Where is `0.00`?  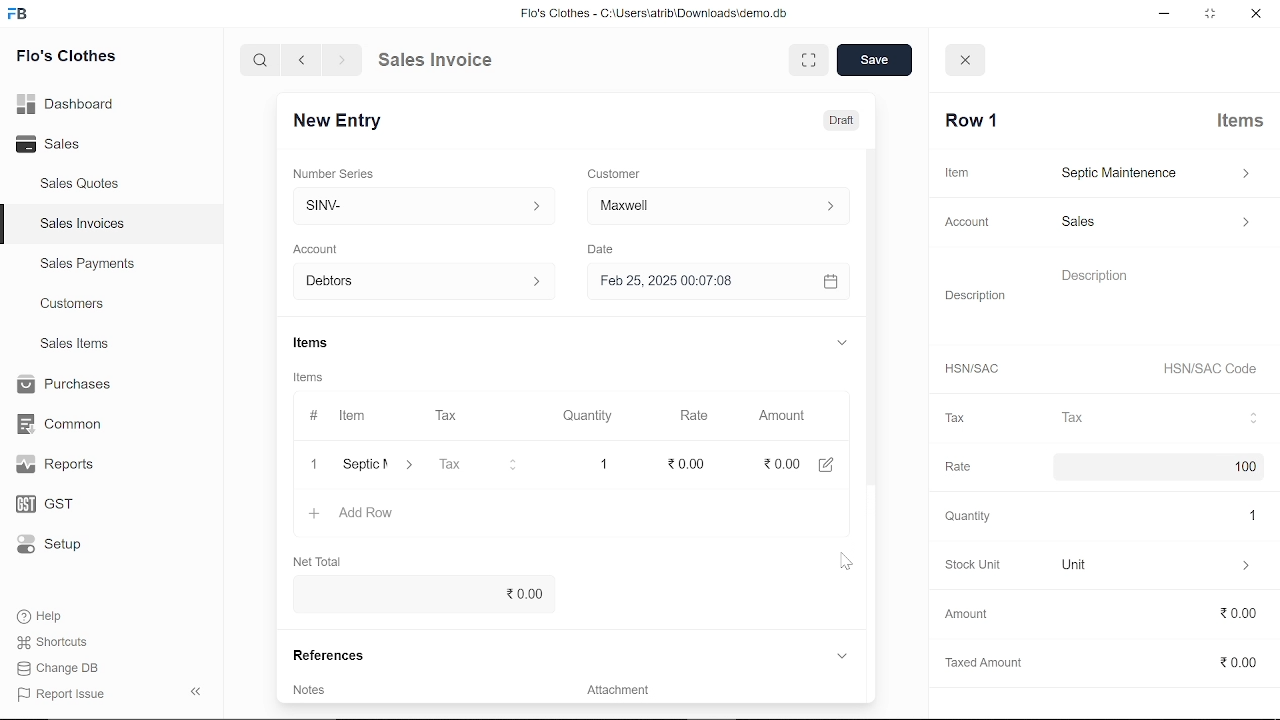
0.00 is located at coordinates (779, 463).